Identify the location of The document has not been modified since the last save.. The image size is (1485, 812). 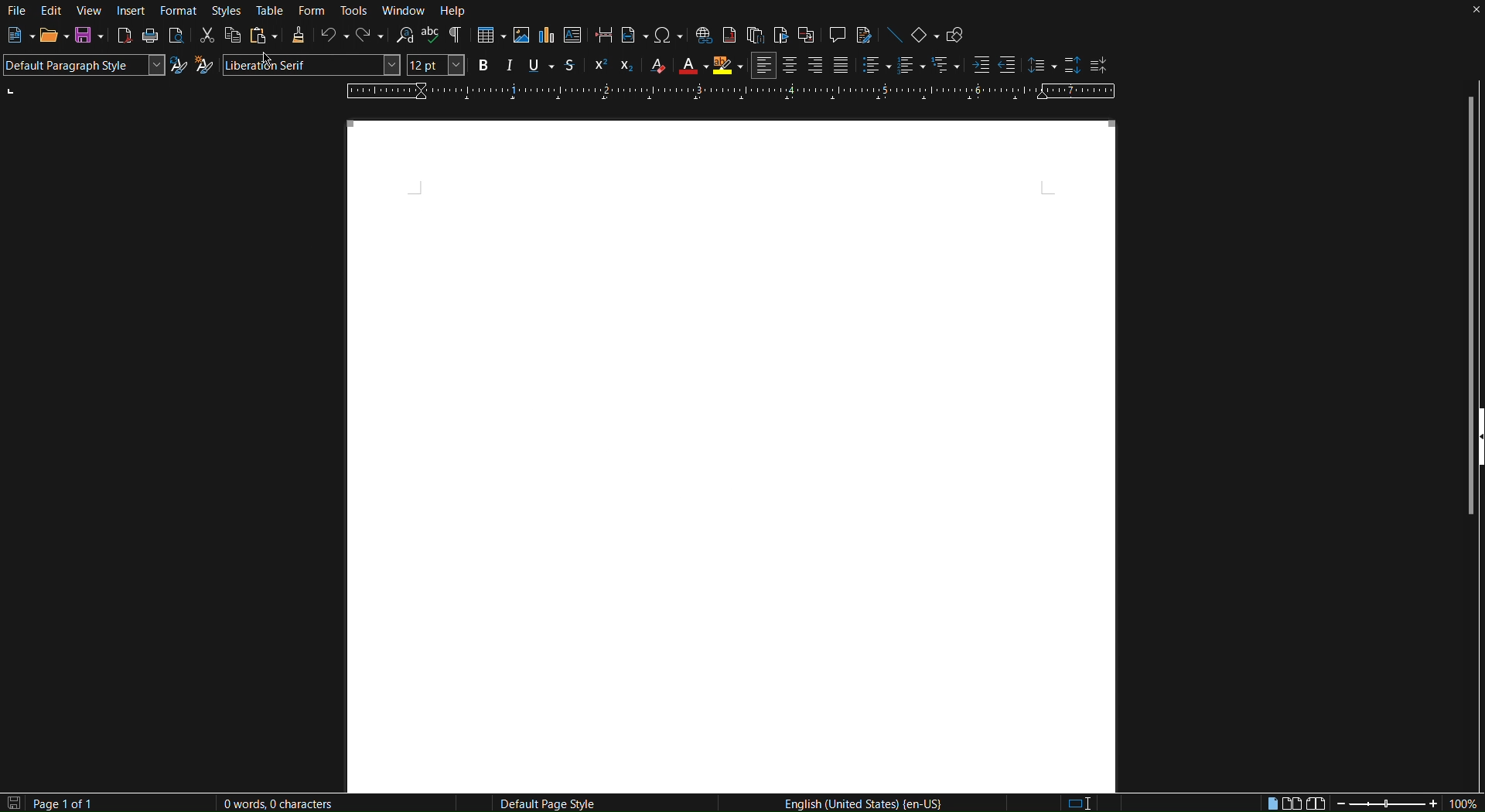
(11, 803).